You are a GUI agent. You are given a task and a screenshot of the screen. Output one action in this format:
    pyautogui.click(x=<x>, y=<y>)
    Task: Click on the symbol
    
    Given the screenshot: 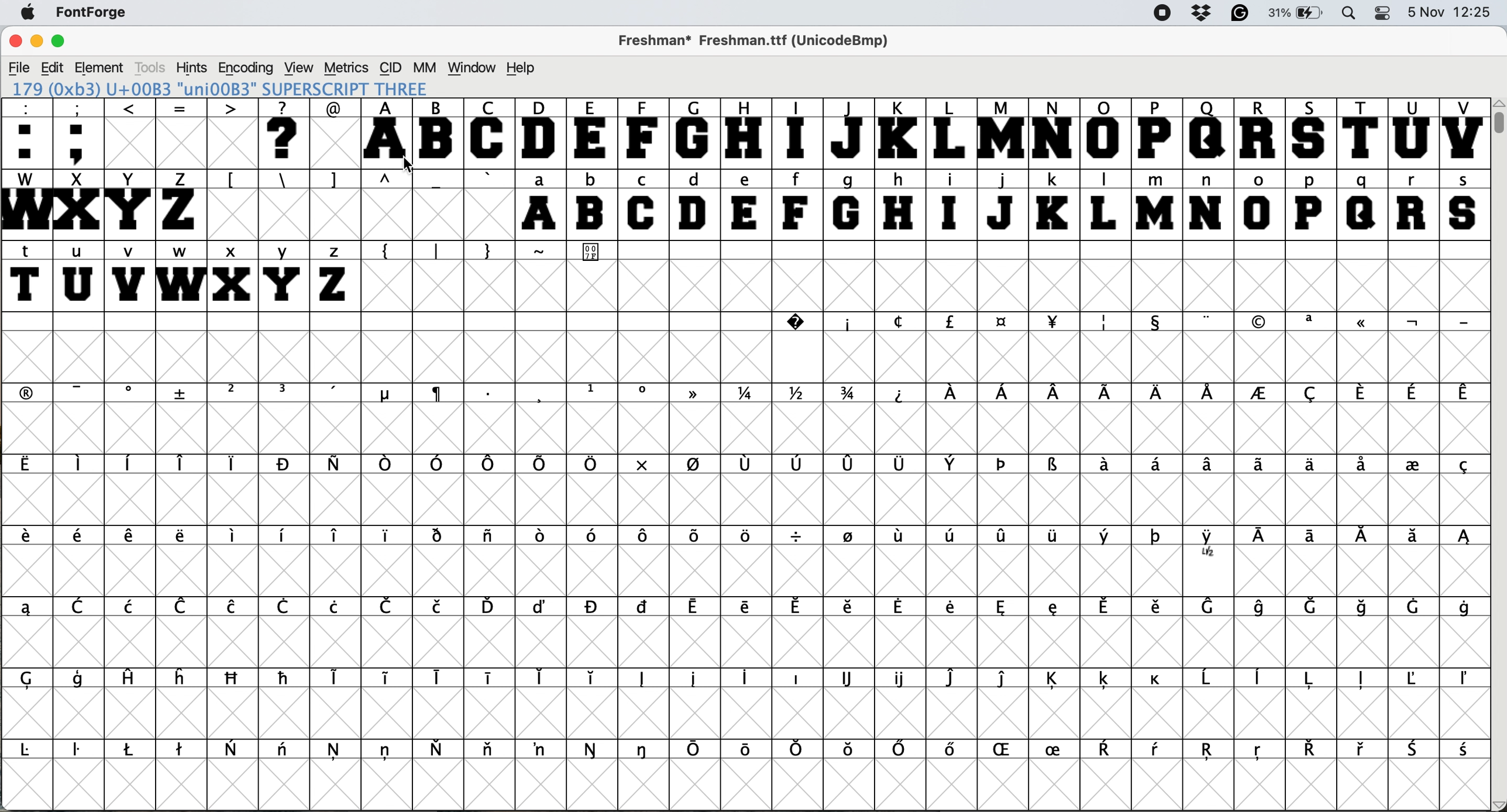 What is the action you would take?
    pyautogui.click(x=180, y=536)
    